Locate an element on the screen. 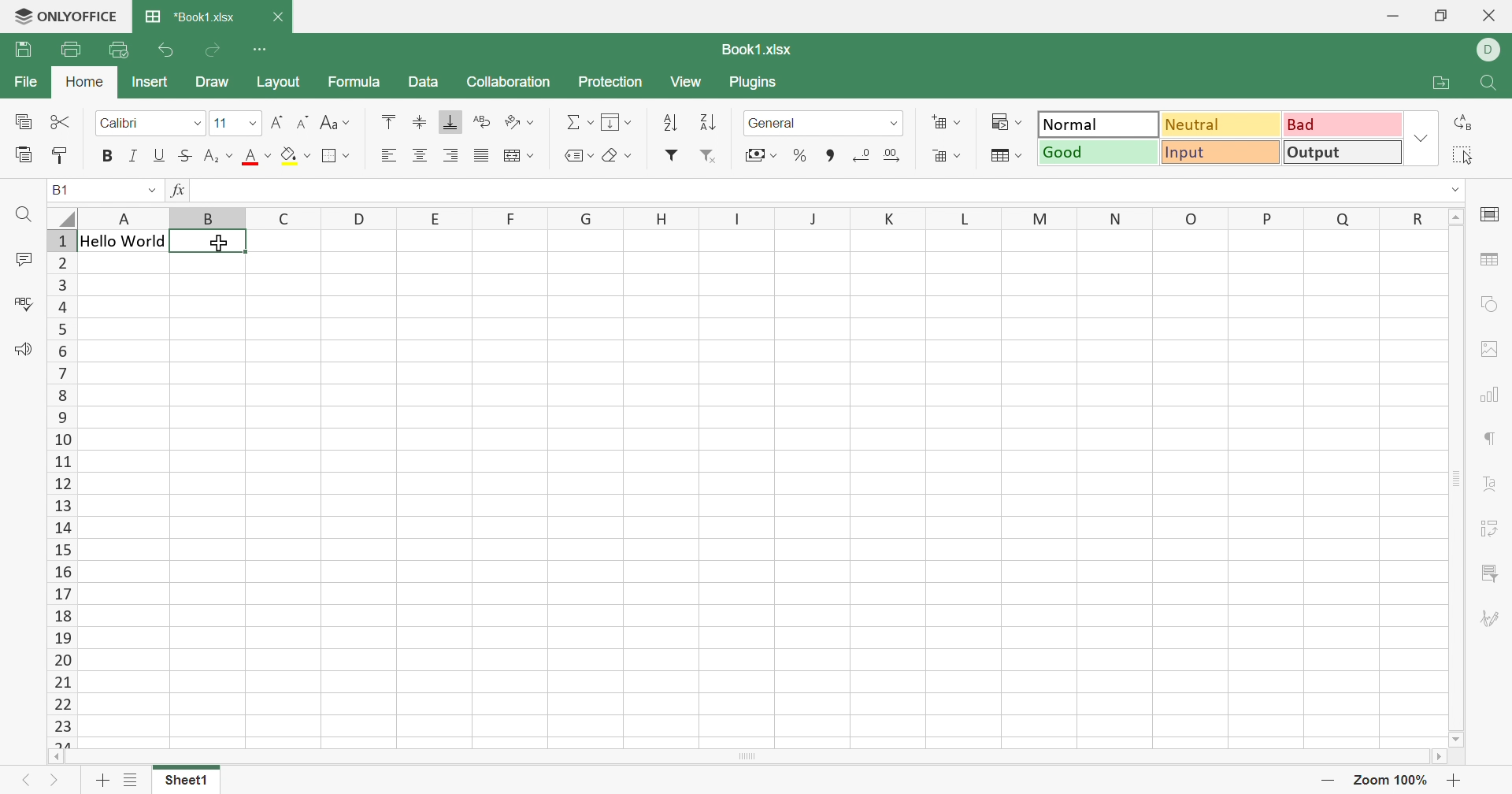  Redo is located at coordinates (212, 52).